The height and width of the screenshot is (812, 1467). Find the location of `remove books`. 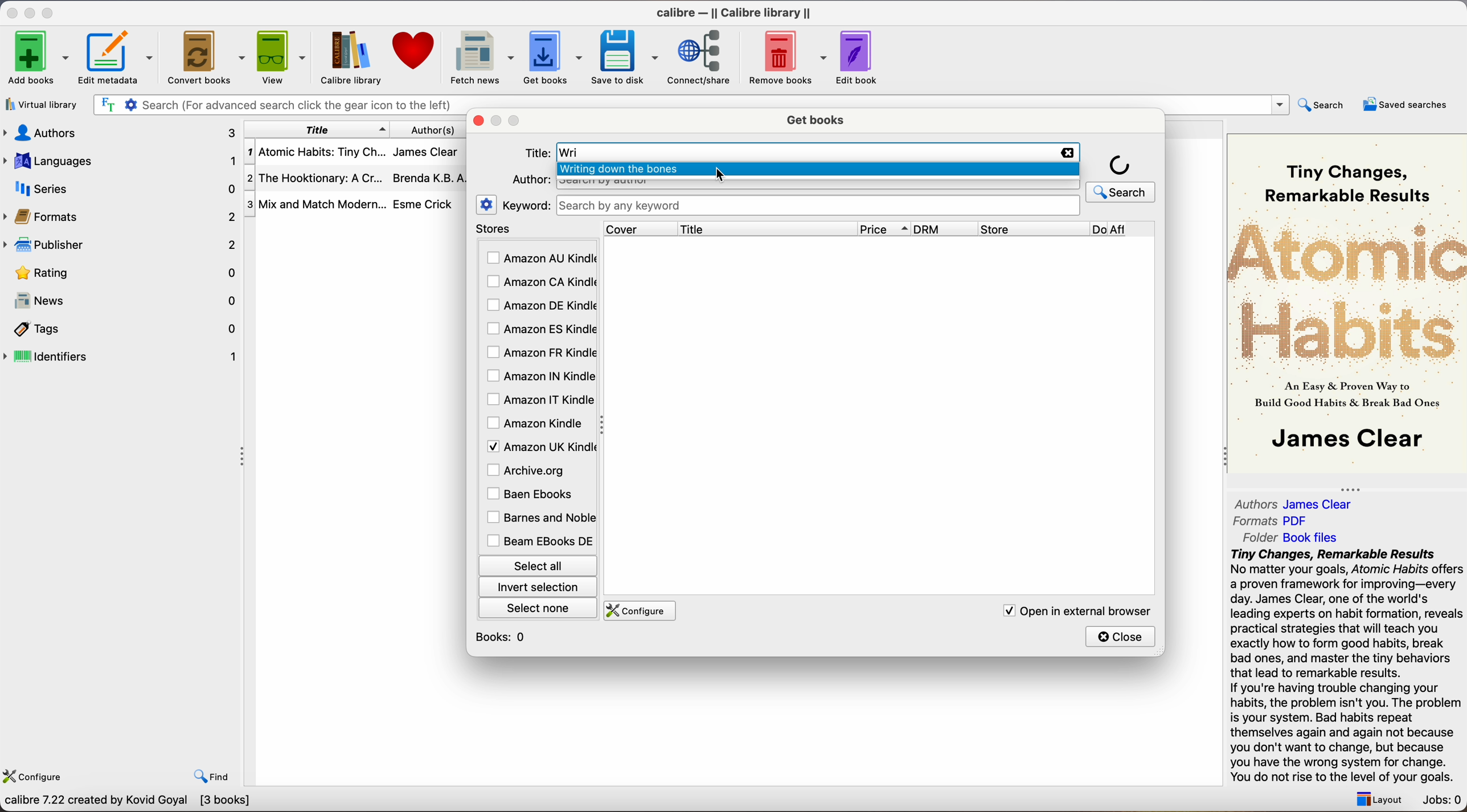

remove books is located at coordinates (788, 59).